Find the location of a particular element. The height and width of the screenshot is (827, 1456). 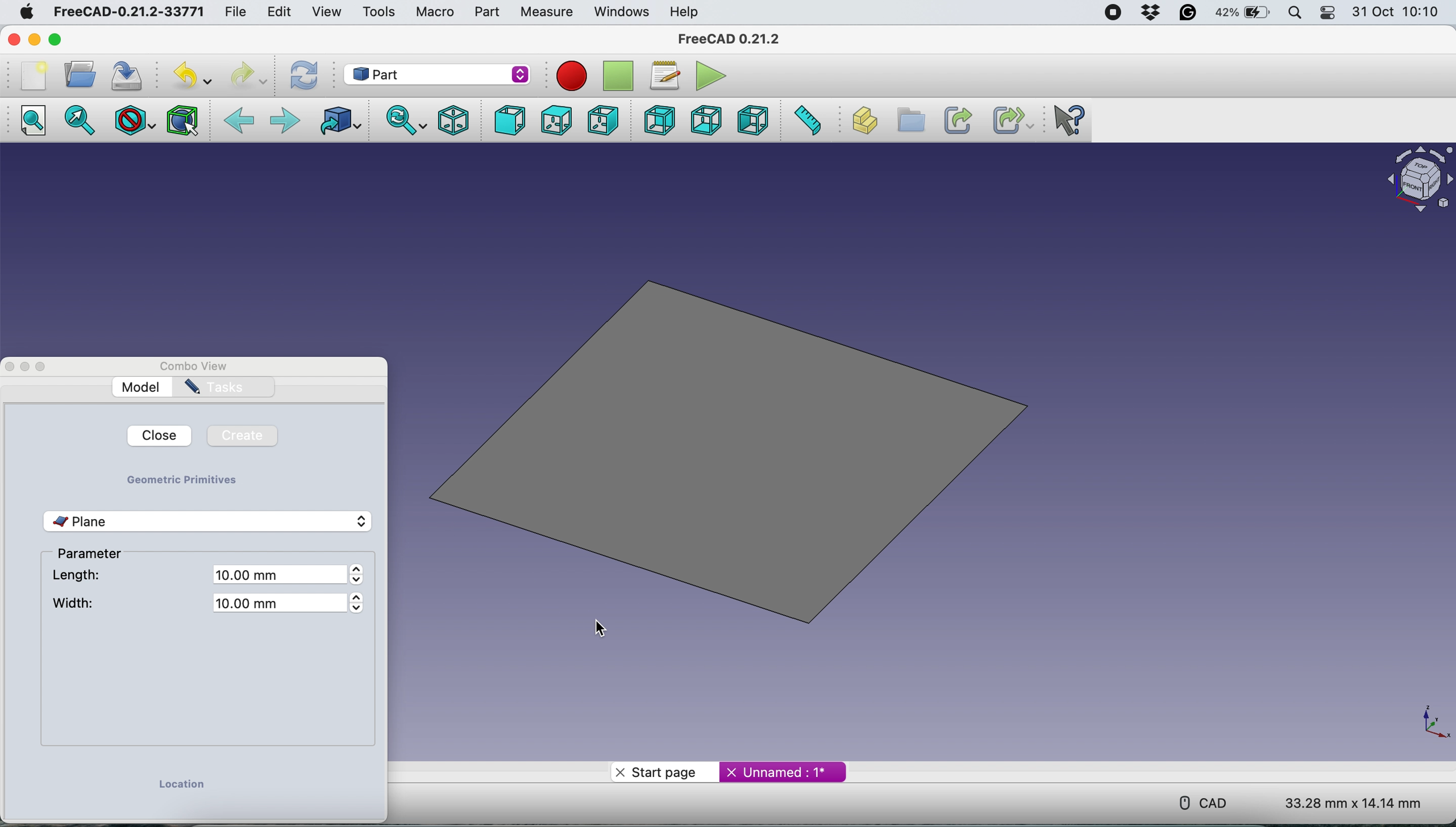

location is located at coordinates (181, 787).